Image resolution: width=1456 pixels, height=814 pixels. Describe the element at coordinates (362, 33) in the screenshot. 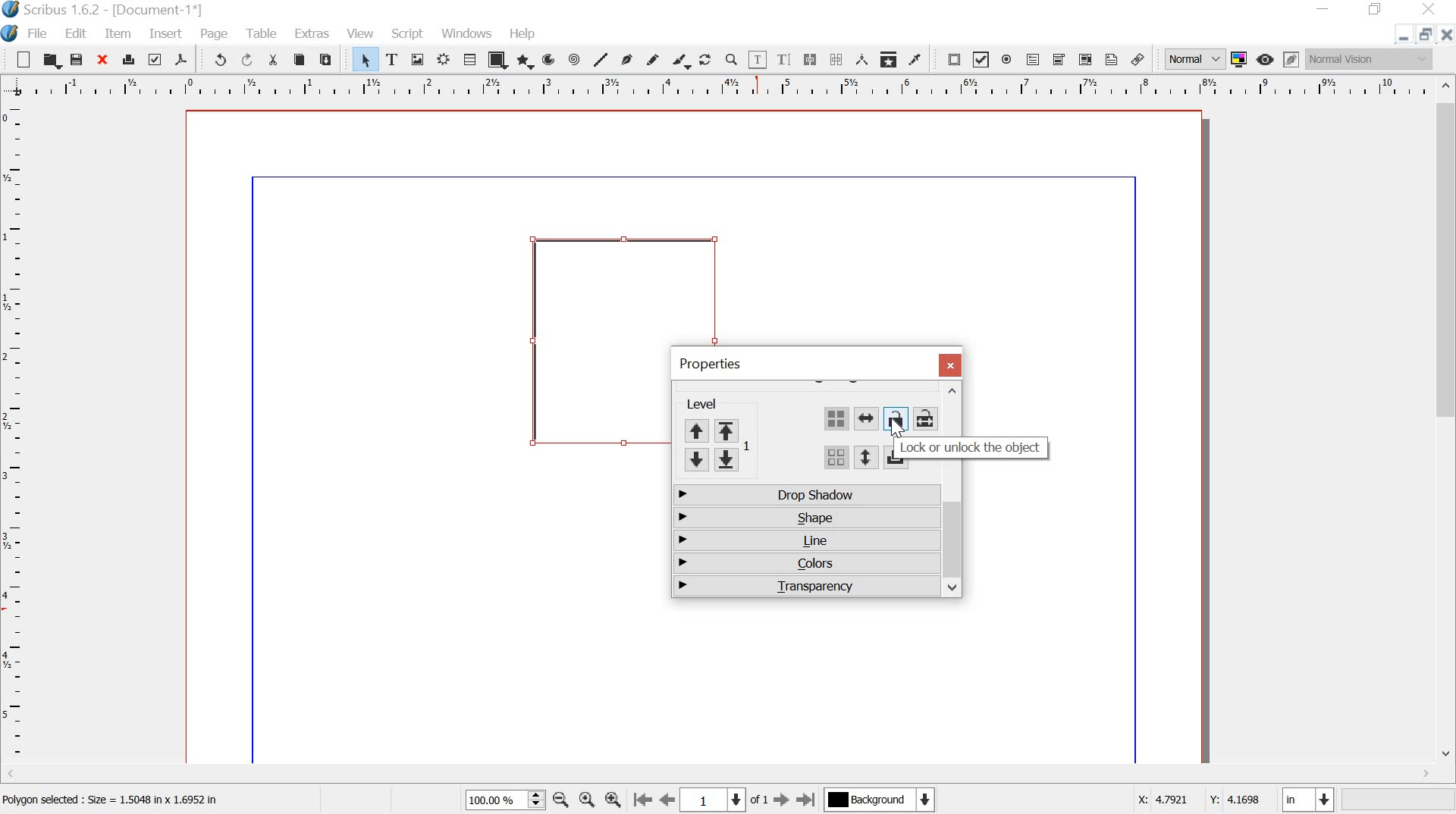

I see `view` at that location.